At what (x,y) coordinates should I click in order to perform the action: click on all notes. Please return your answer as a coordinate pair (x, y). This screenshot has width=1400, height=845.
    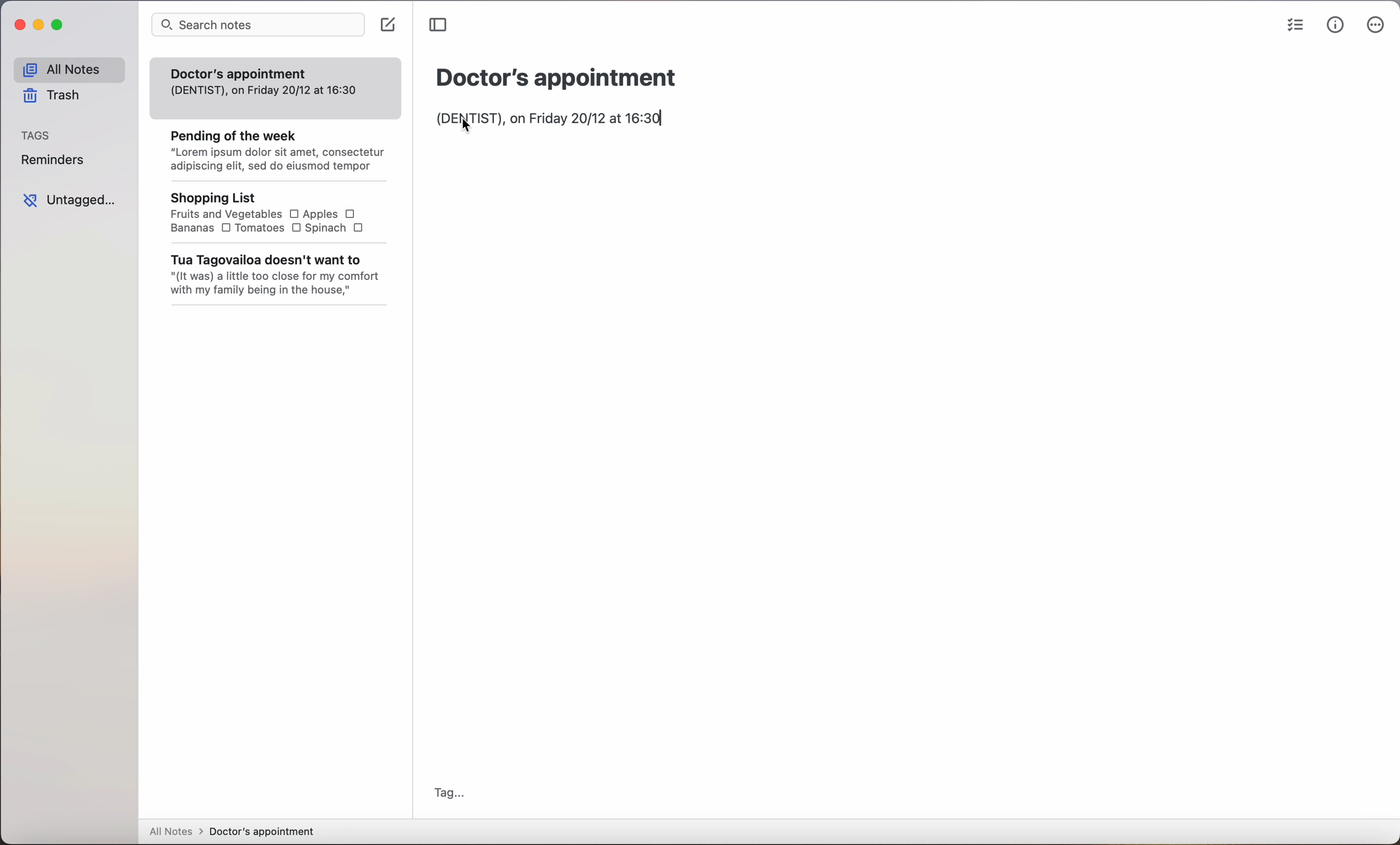
    Looking at the image, I should click on (69, 66).